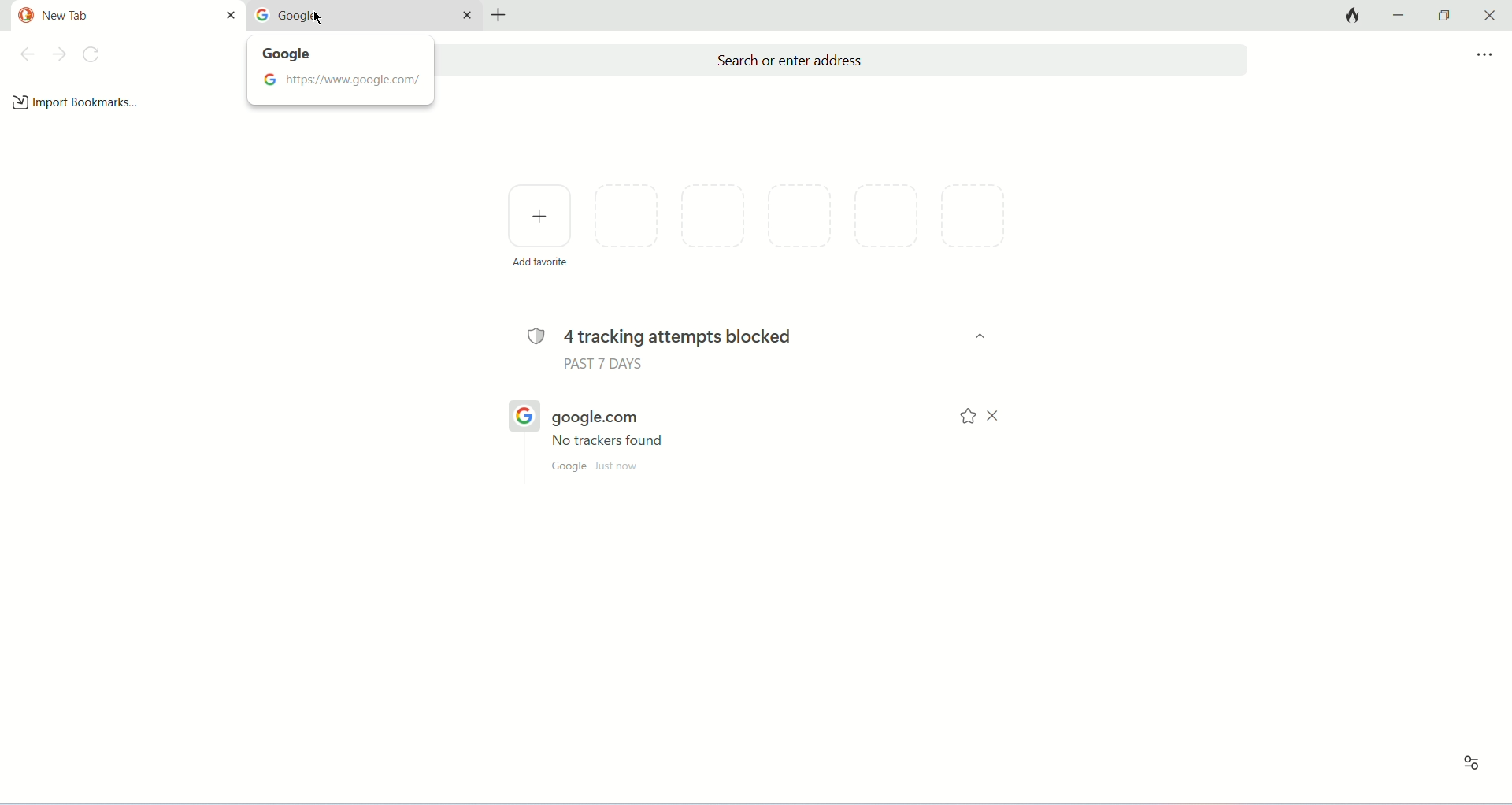 The width and height of the screenshot is (1512, 805). What do you see at coordinates (617, 466) in the screenshot?
I see `just now` at bounding box center [617, 466].